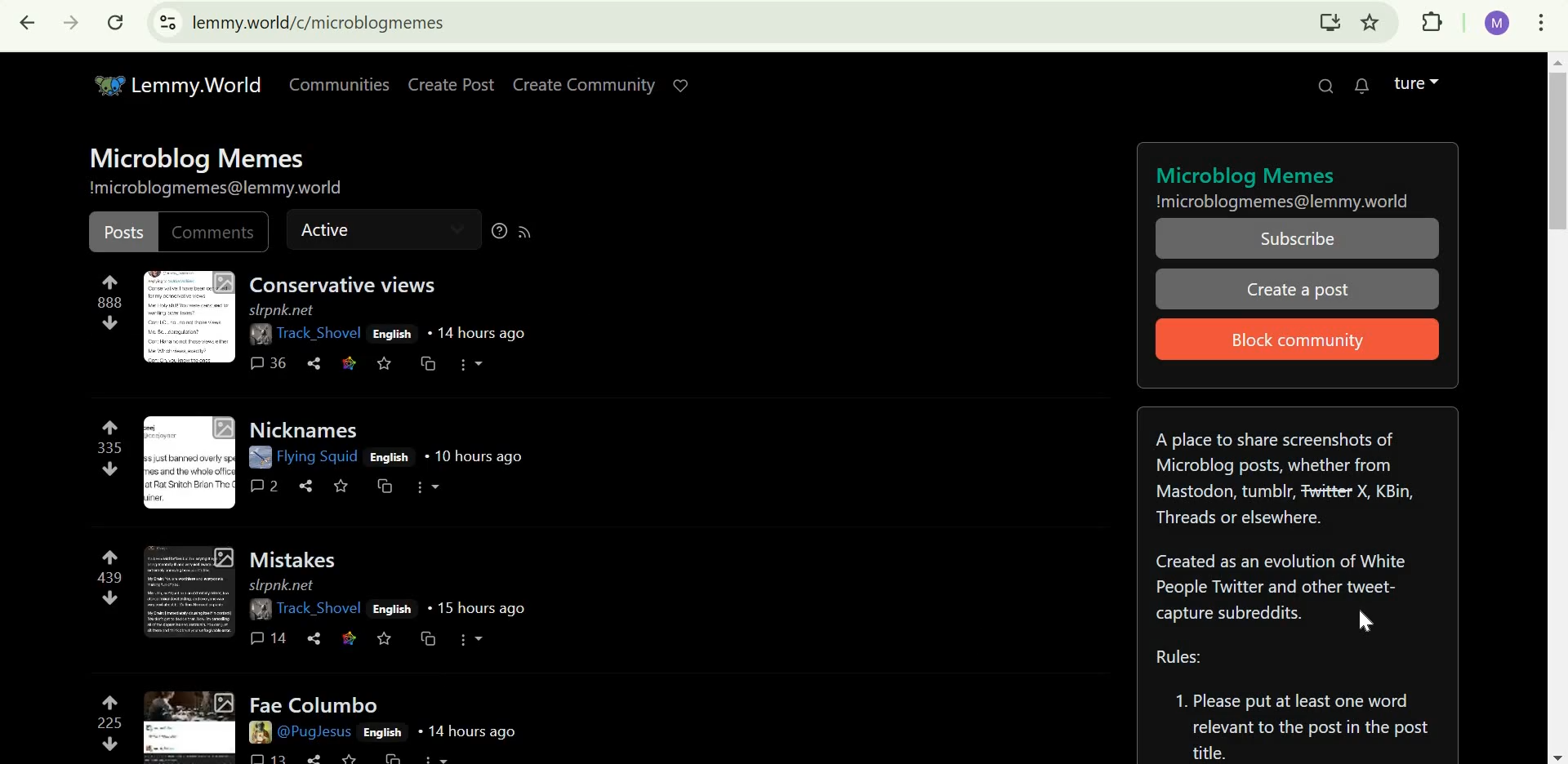 Image resolution: width=1568 pixels, height=764 pixels. What do you see at coordinates (525, 233) in the screenshot?
I see `RSS` at bounding box center [525, 233].